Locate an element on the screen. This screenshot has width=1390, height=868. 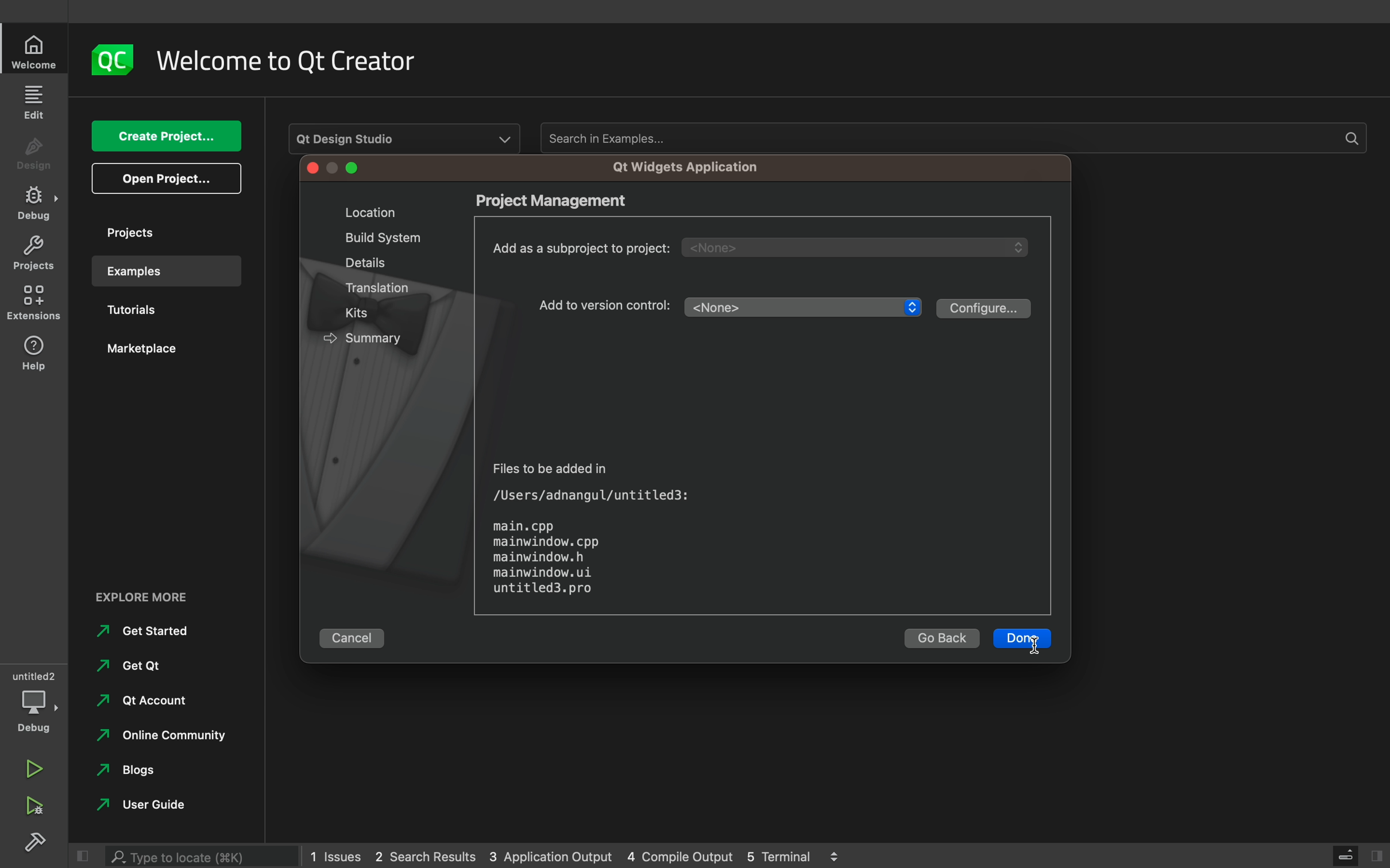
increase/decrease arrows is located at coordinates (840, 855).